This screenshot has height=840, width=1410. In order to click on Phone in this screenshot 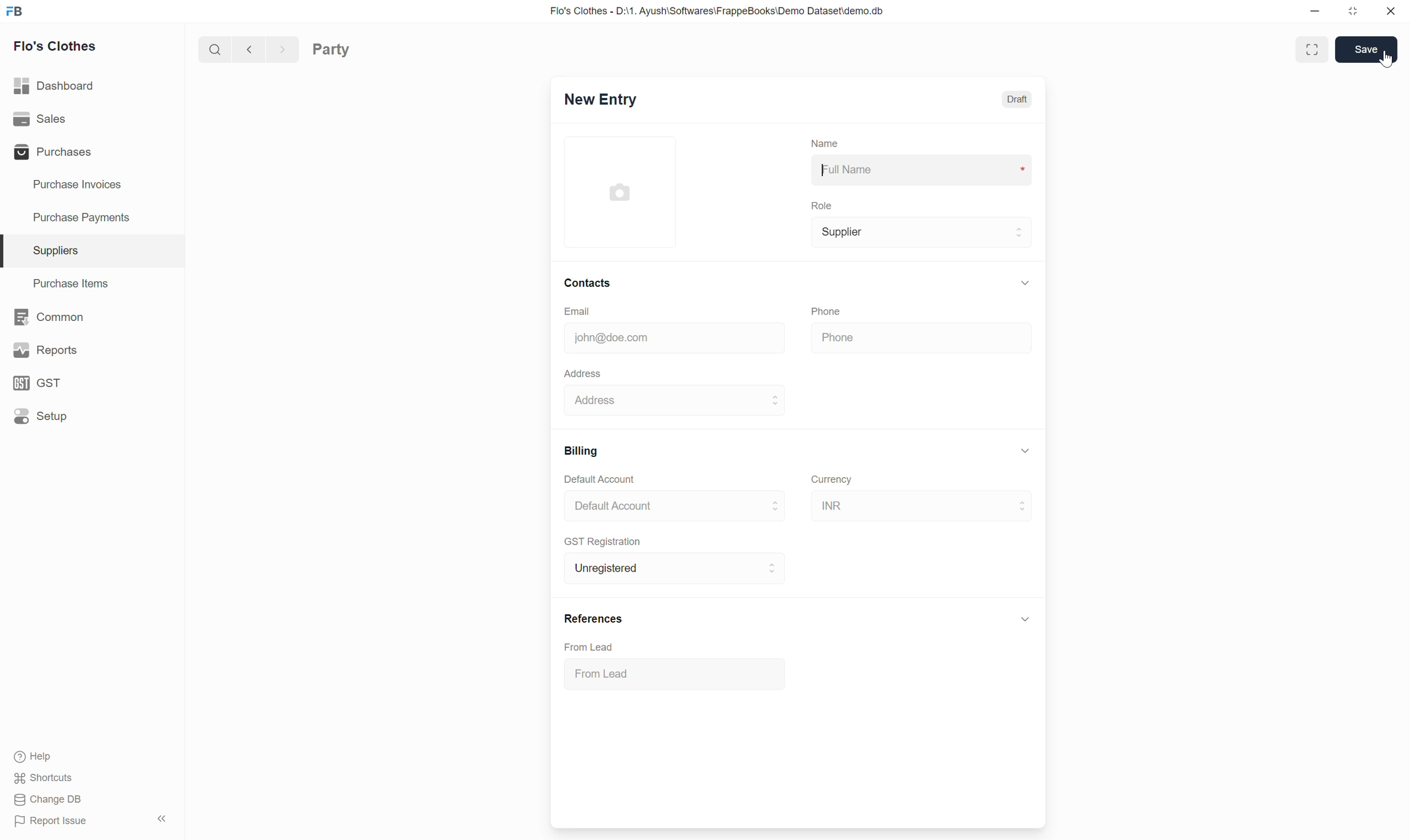, I will do `click(826, 311)`.